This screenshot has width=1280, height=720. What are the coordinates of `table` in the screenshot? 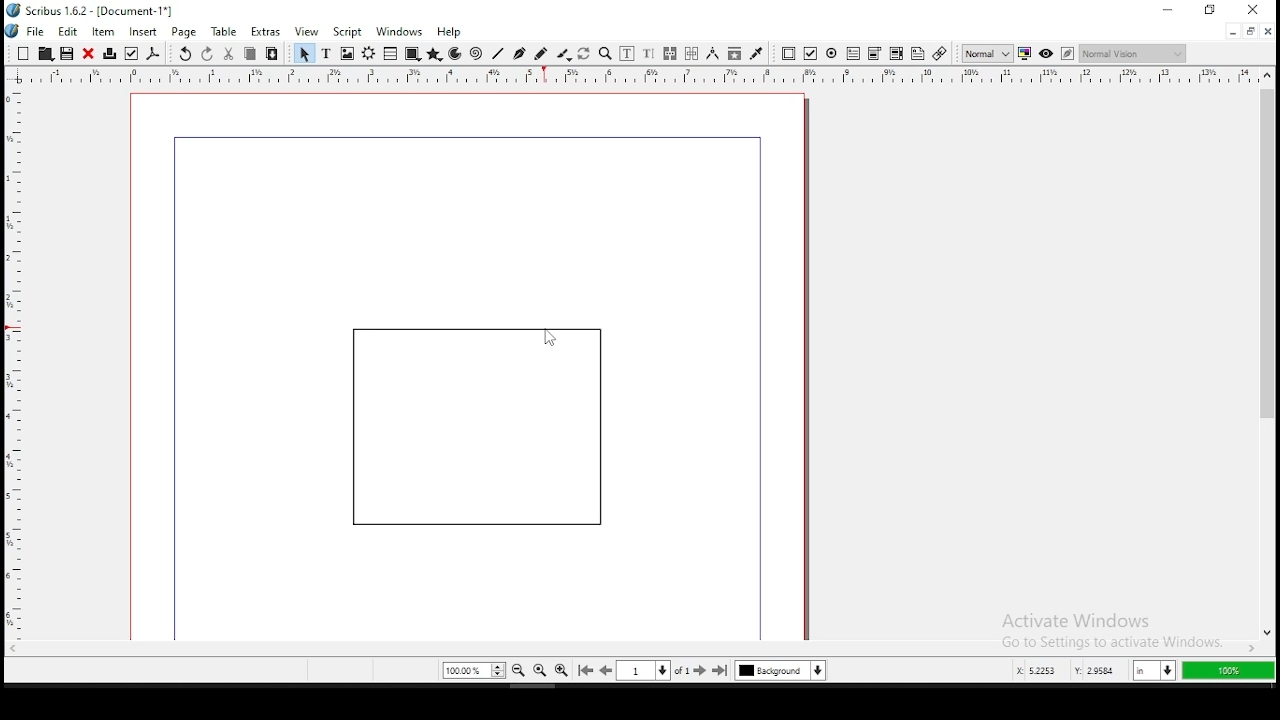 It's located at (225, 32).